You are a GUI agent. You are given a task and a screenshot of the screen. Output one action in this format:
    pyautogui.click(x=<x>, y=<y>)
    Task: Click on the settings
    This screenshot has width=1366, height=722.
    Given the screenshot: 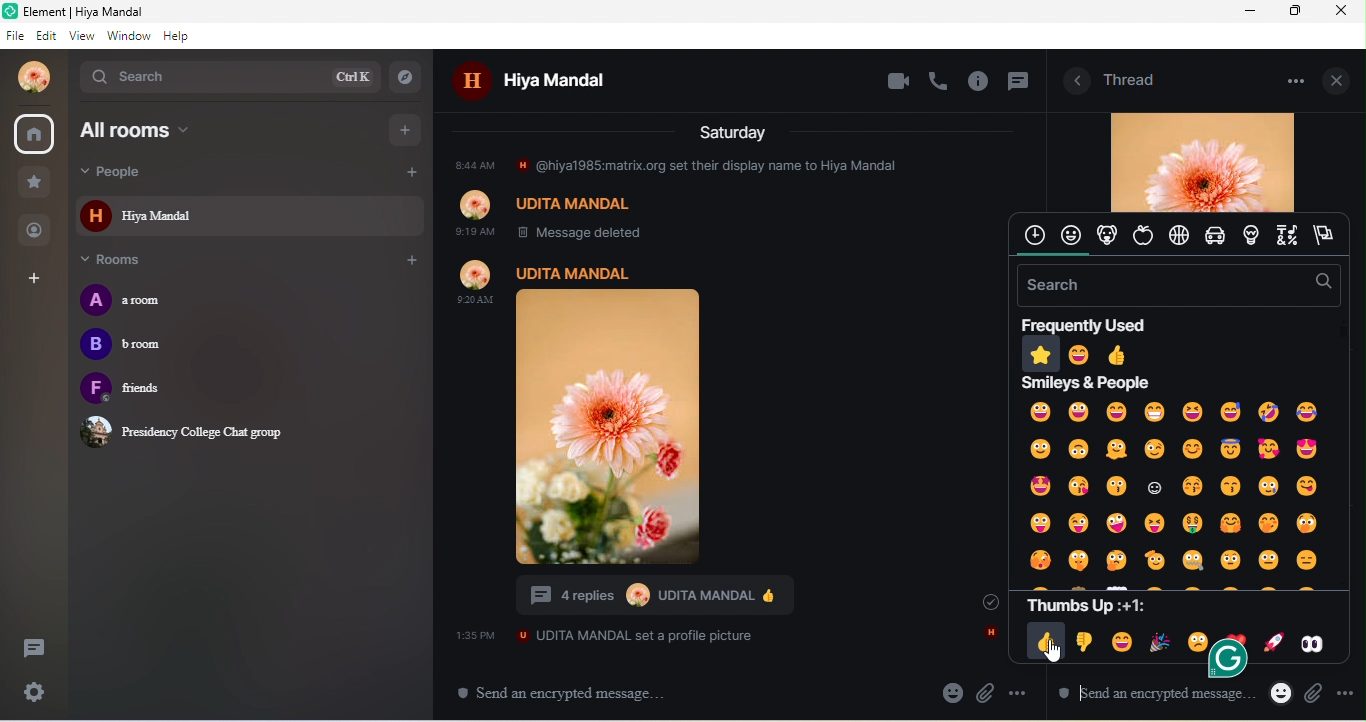 What is the action you would take?
    pyautogui.click(x=37, y=693)
    